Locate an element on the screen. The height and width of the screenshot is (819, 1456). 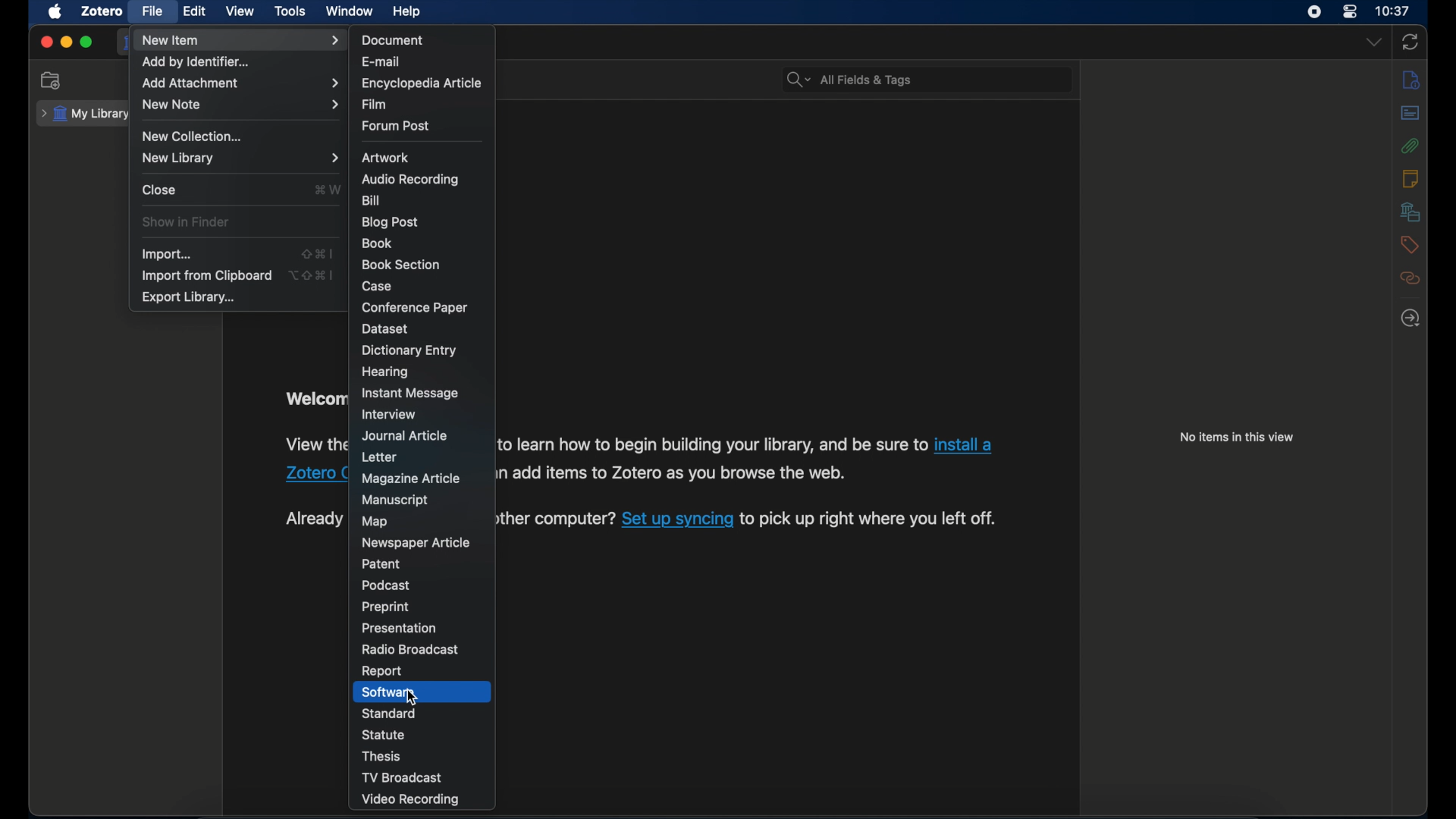
preprint is located at coordinates (384, 607).